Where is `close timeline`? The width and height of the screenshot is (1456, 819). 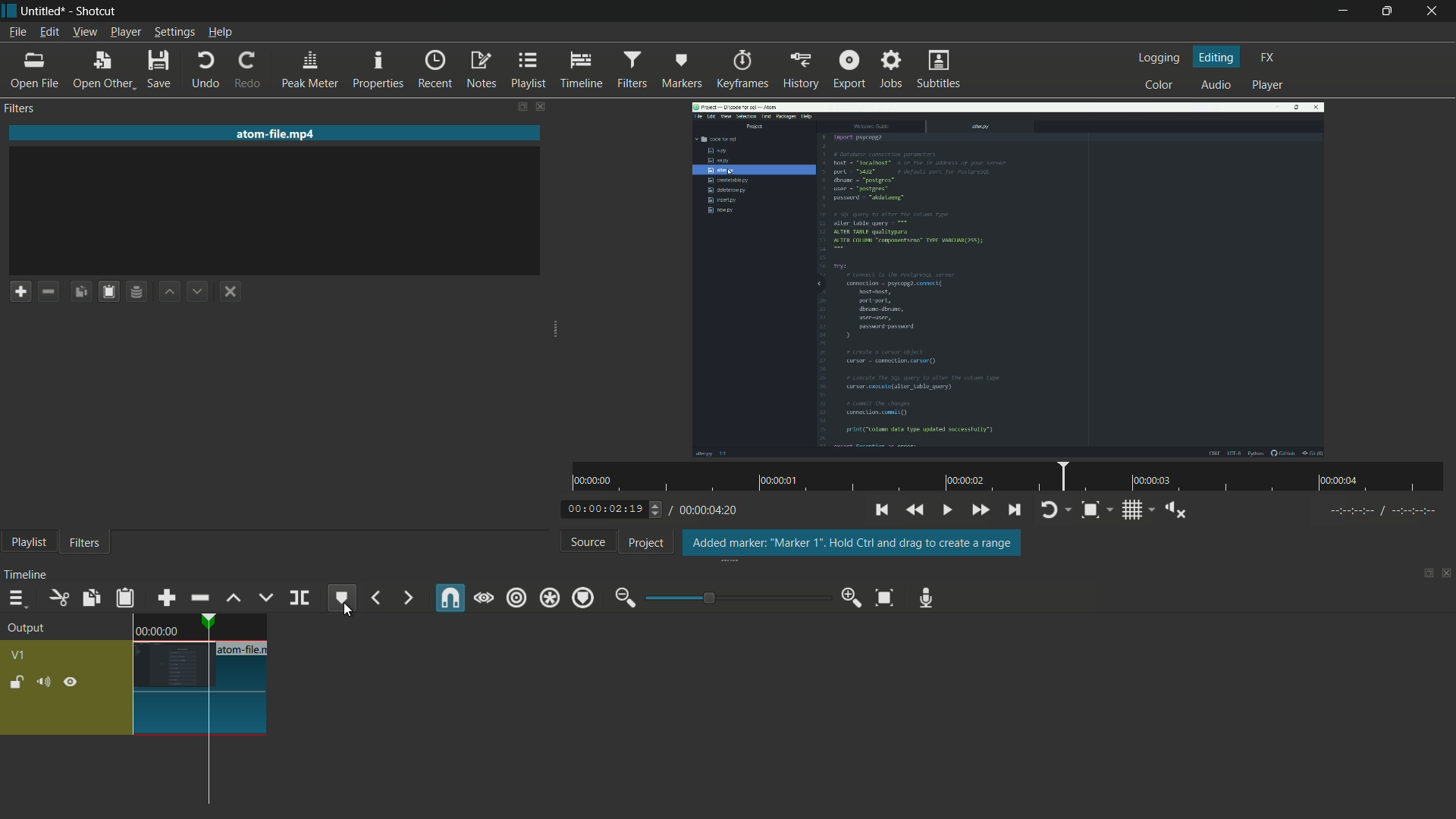
close timeline is located at coordinates (1447, 573).